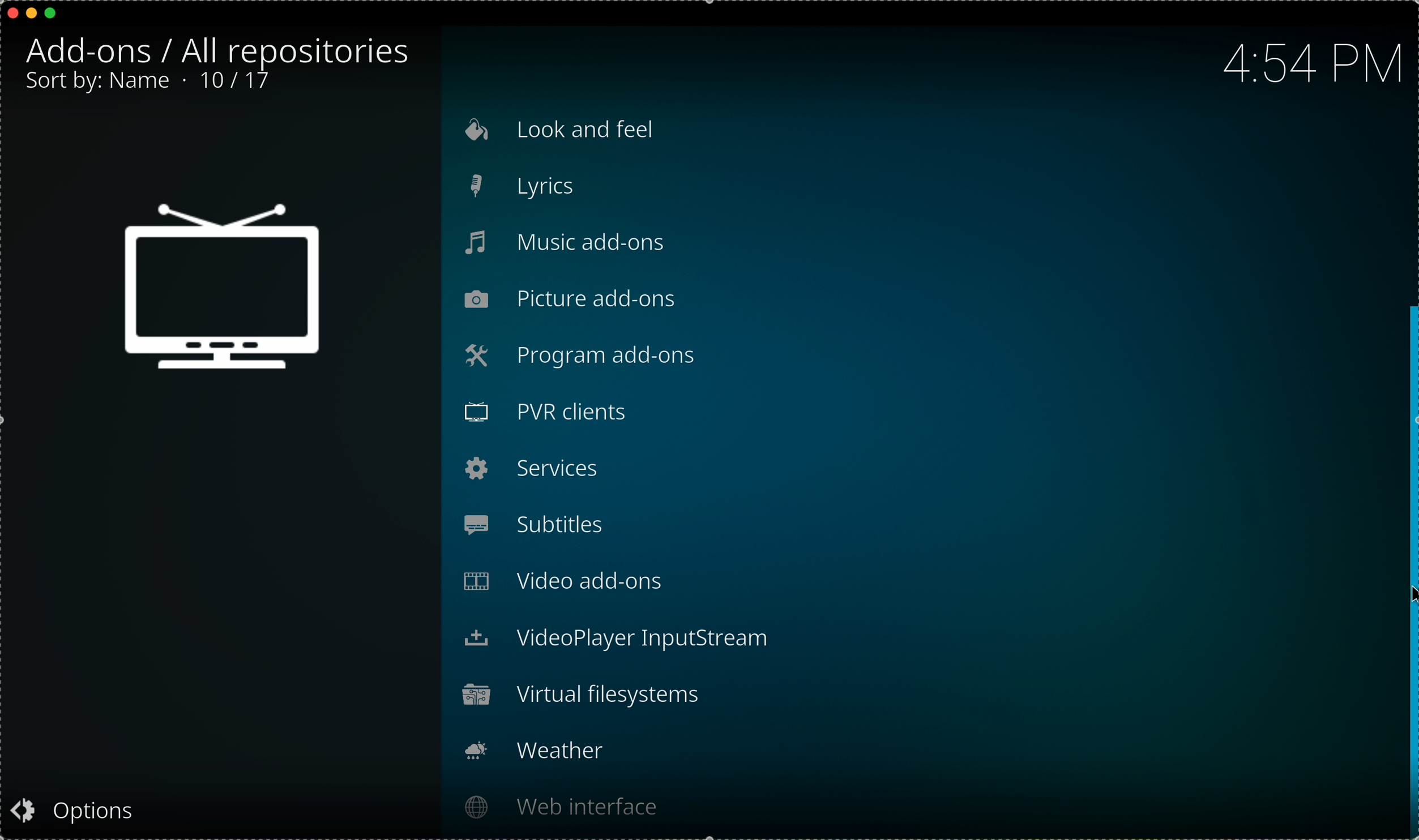  I want to click on add-ons, so click(97, 53).